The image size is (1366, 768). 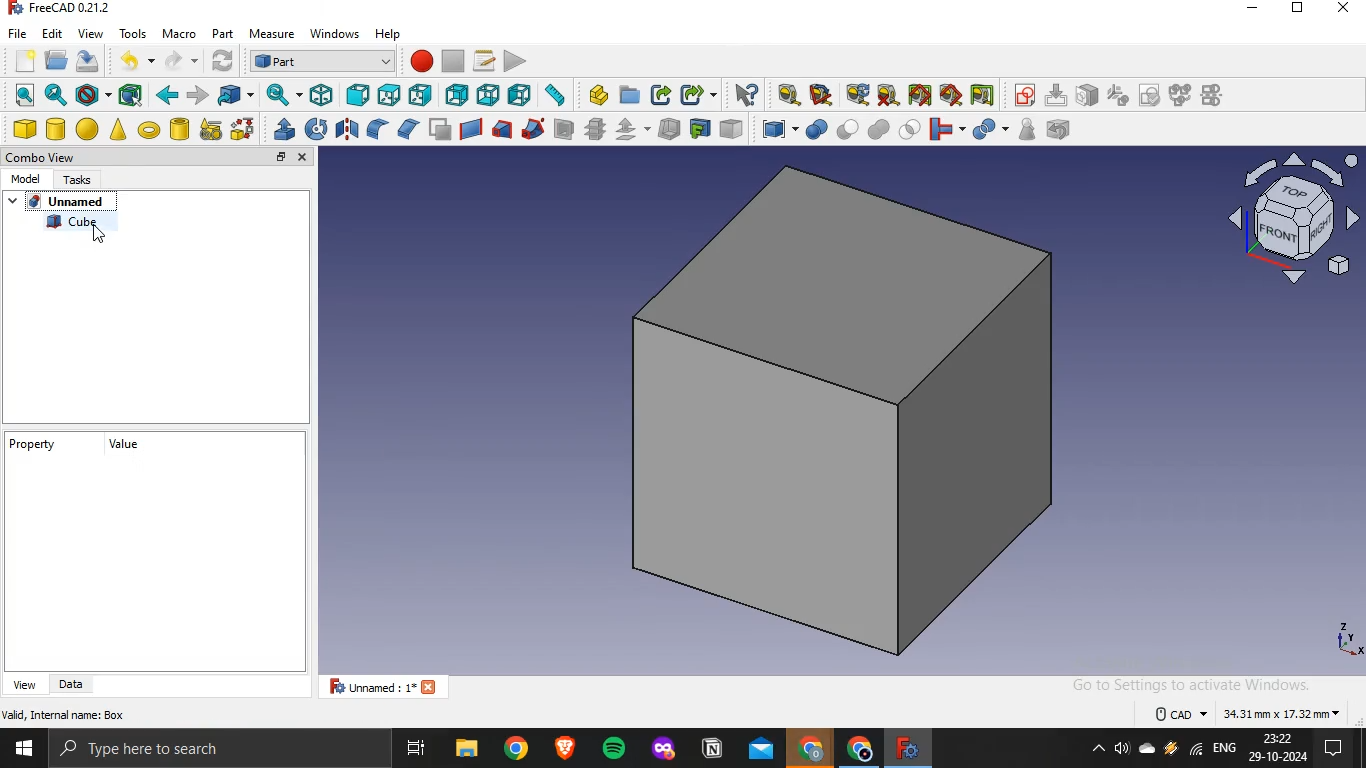 What do you see at coordinates (24, 95) in the screenshot?
I see `fit all` at bounding box center [24, 95].